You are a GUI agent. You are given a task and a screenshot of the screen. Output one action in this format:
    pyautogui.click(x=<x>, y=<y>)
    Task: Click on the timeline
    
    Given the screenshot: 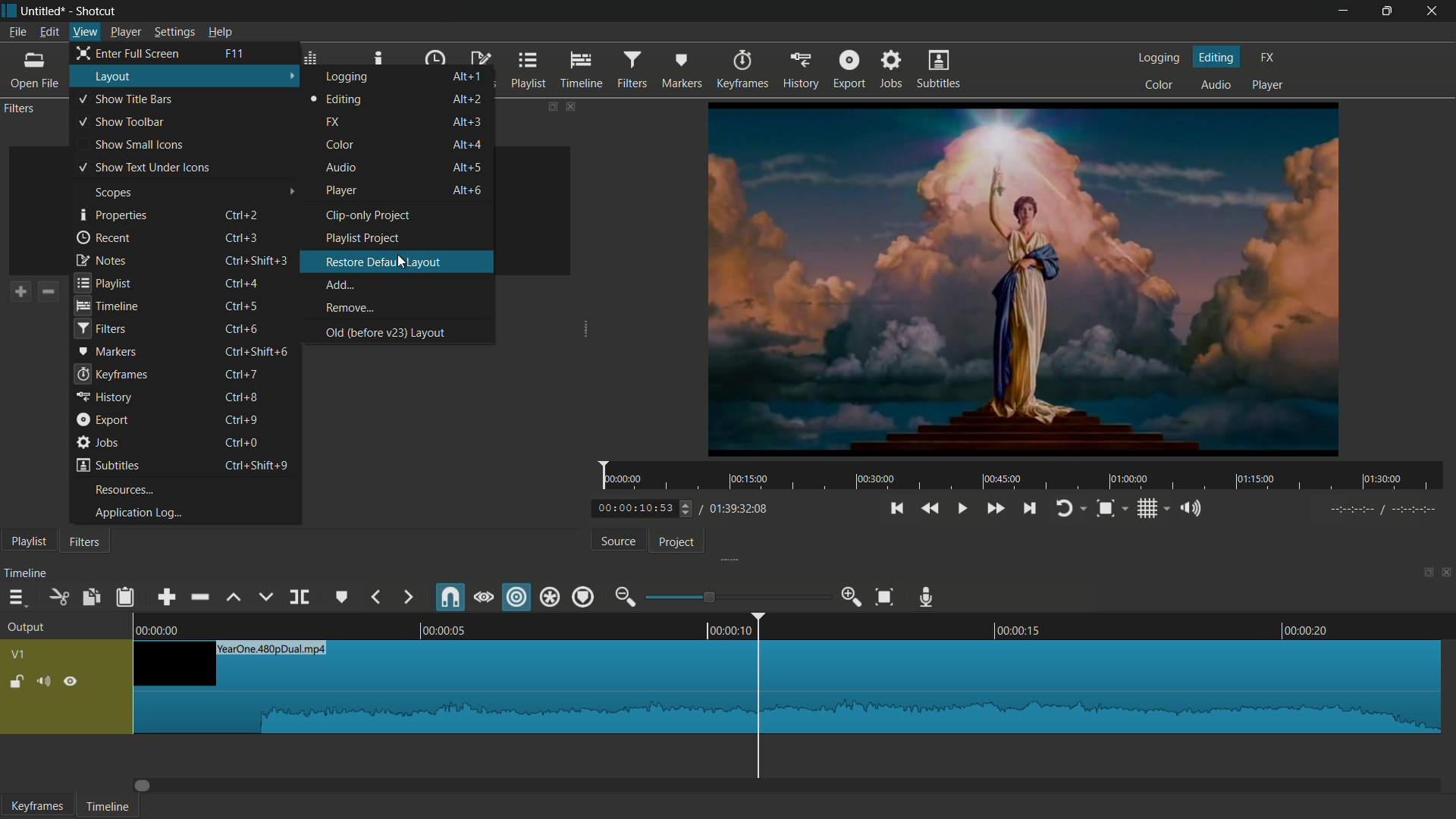 What is the action you would take?
    pyautogui.click(x=582, y=71)
    